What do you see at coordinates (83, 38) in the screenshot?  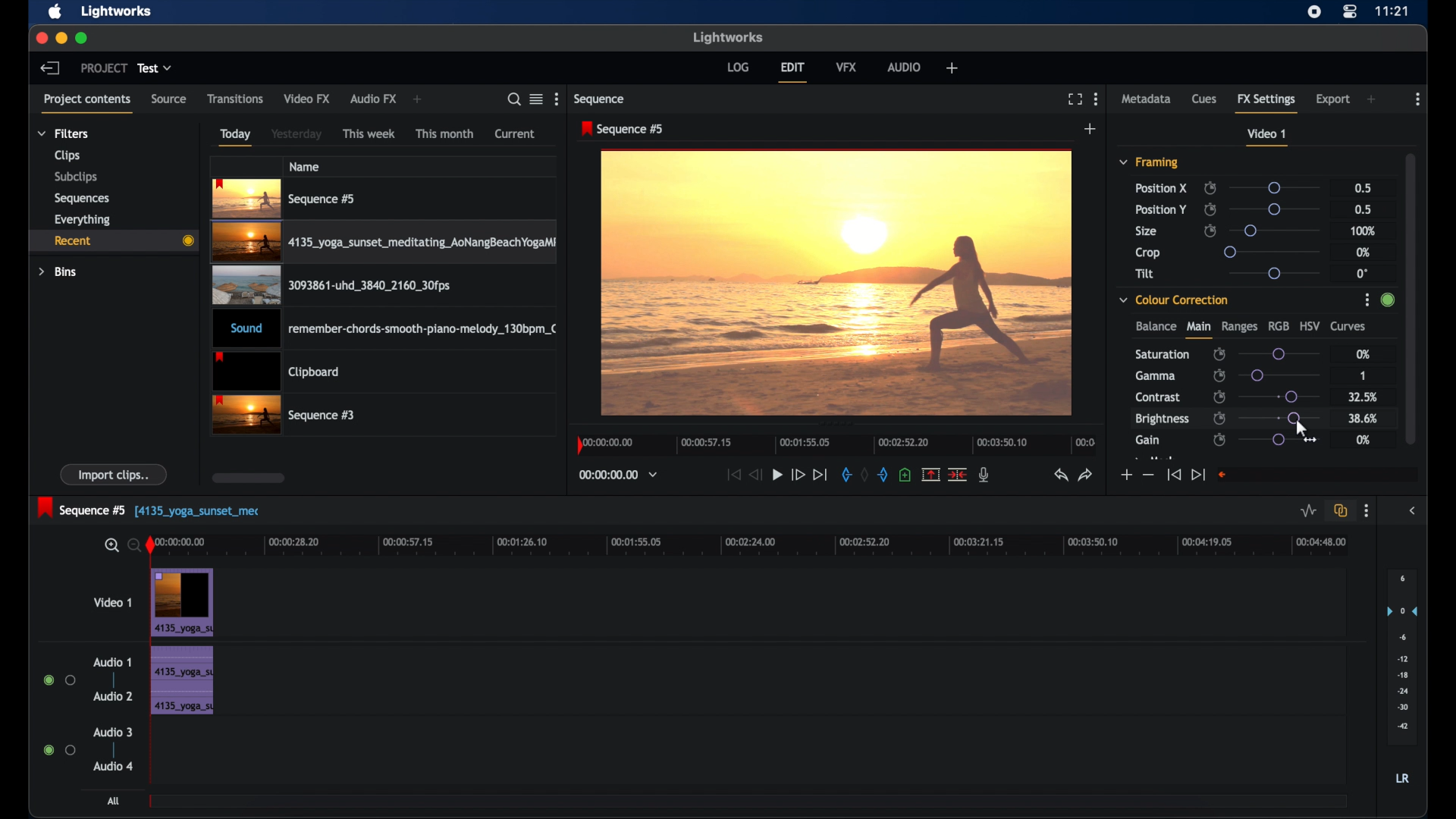 I see `maximize` at bounding box center [83, 38].